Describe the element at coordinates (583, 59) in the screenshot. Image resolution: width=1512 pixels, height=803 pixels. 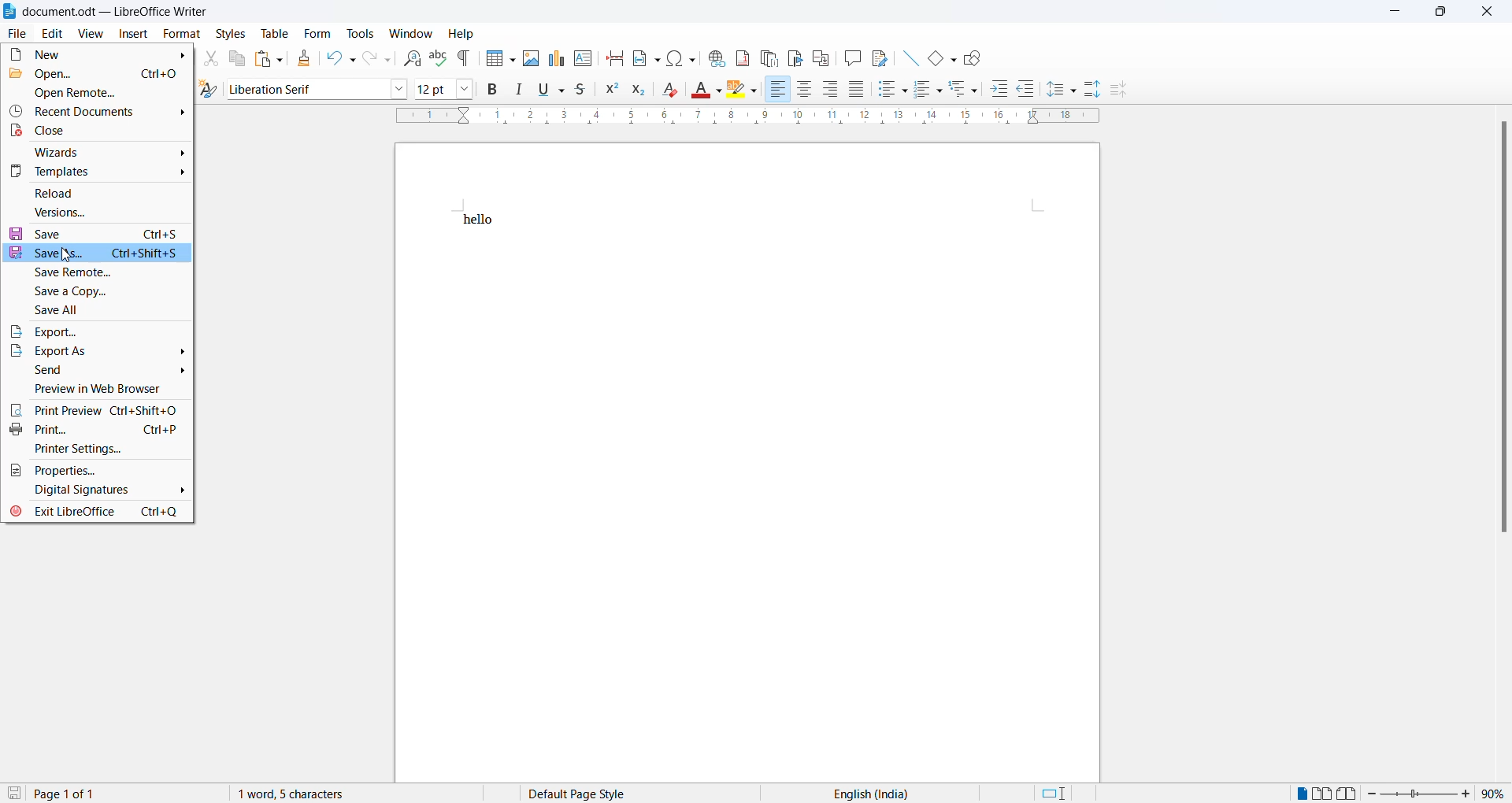
I see `Insert text` at that location.